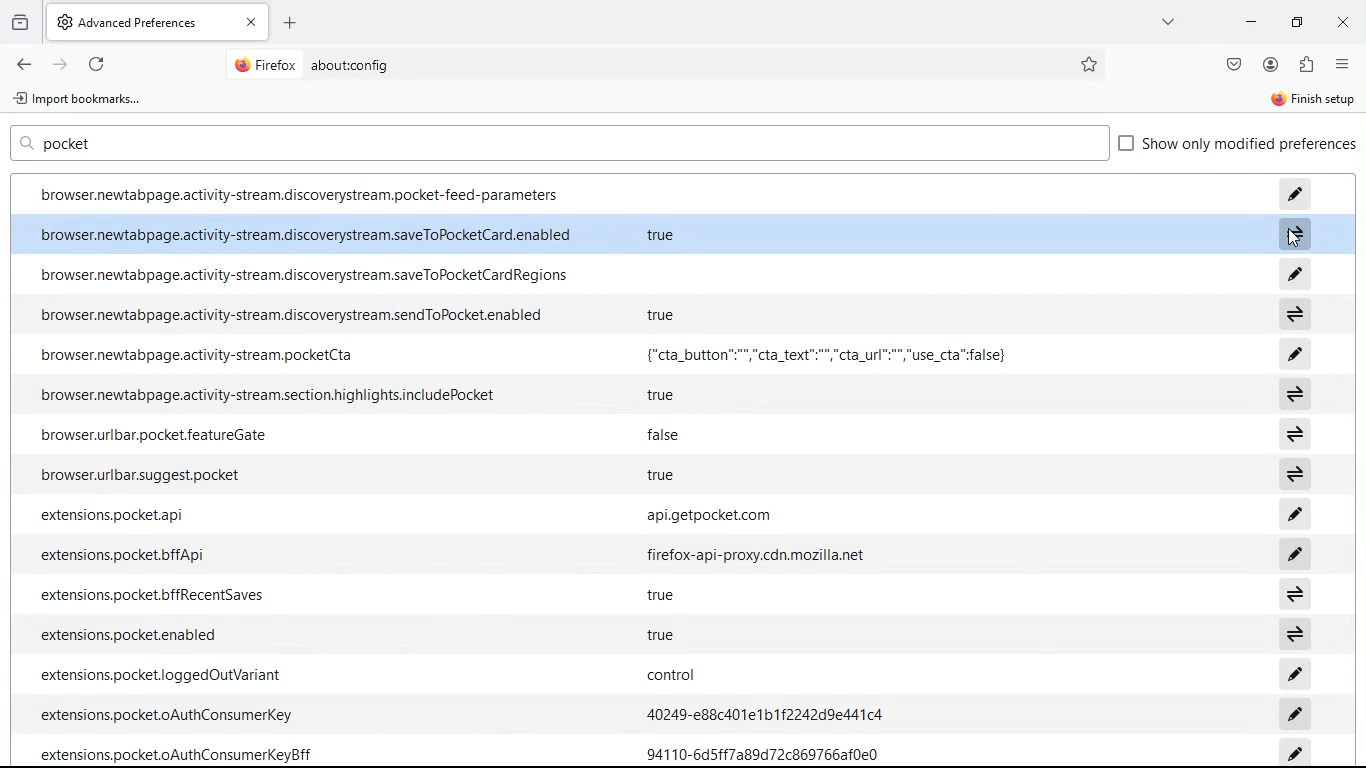 The image size is (1366, 768). Describe the element at coordinates (154, 593) in the screenshot. I see `‘extensions.pocket.bffRecentSaves` at that location.